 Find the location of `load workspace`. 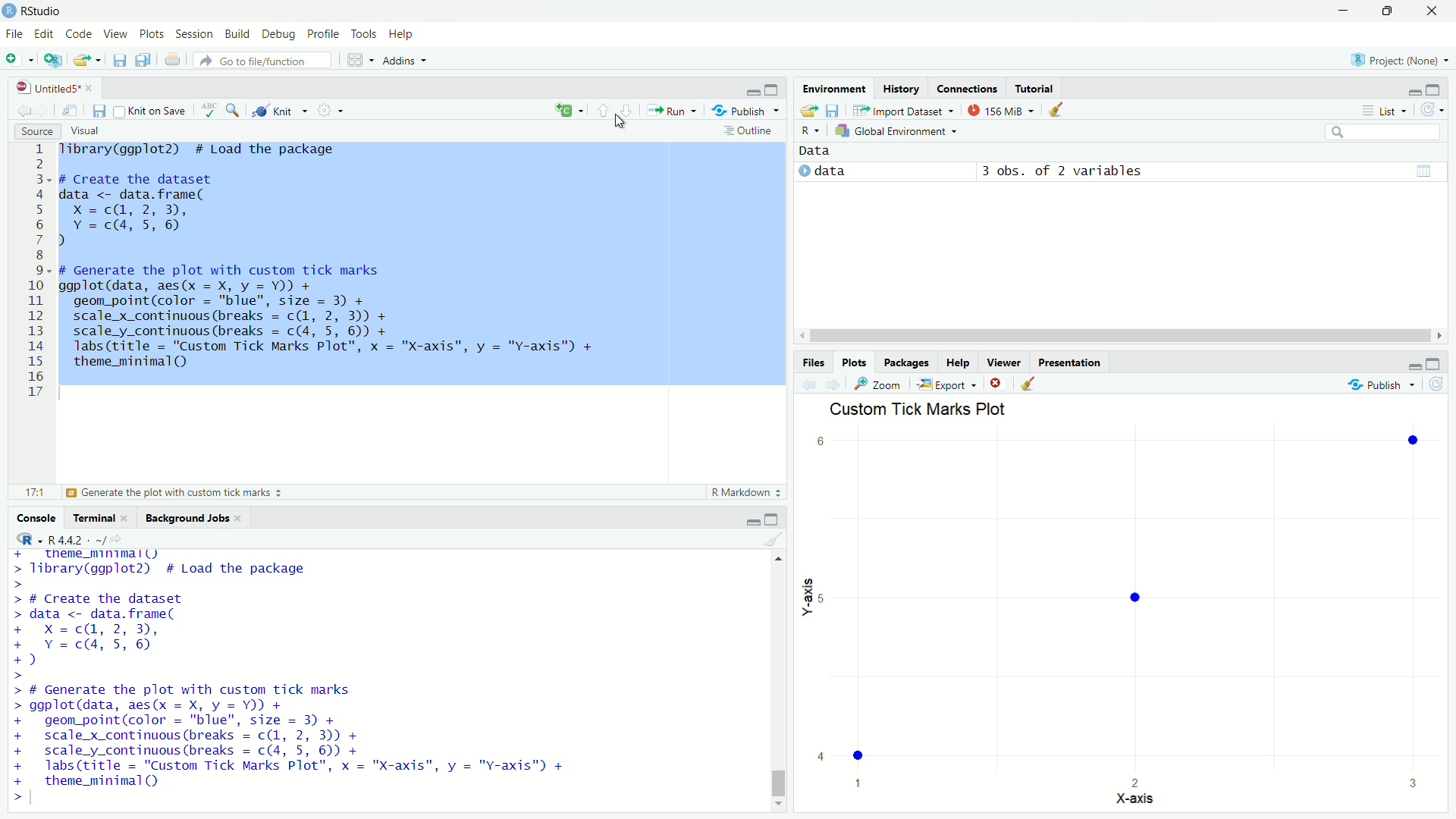

load workspace is located at coordinates (808, 111).